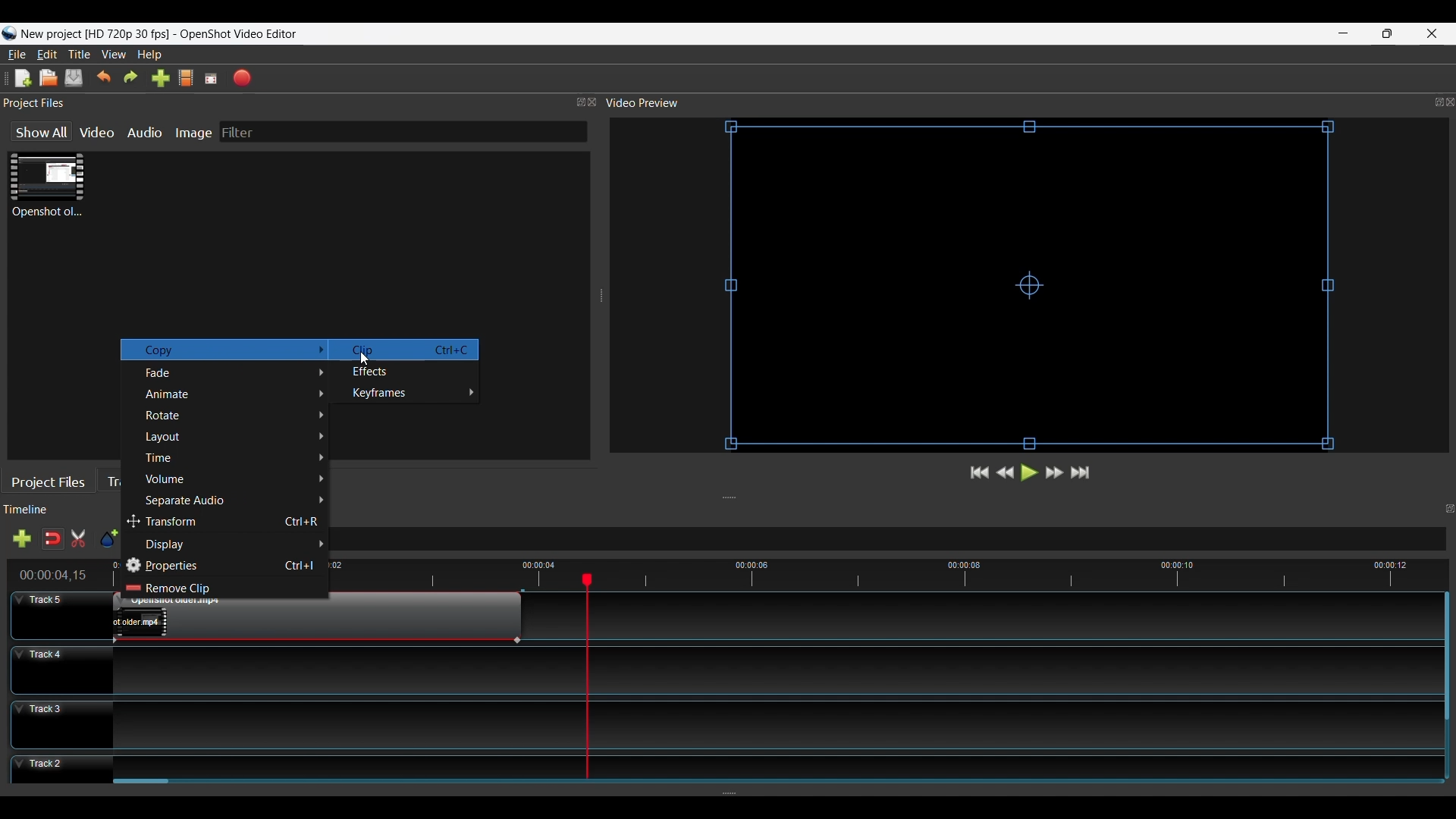  What do you see at coordinates (403, 132) in the screenshot?
I see `Filter` at bounding box center [403, 132].